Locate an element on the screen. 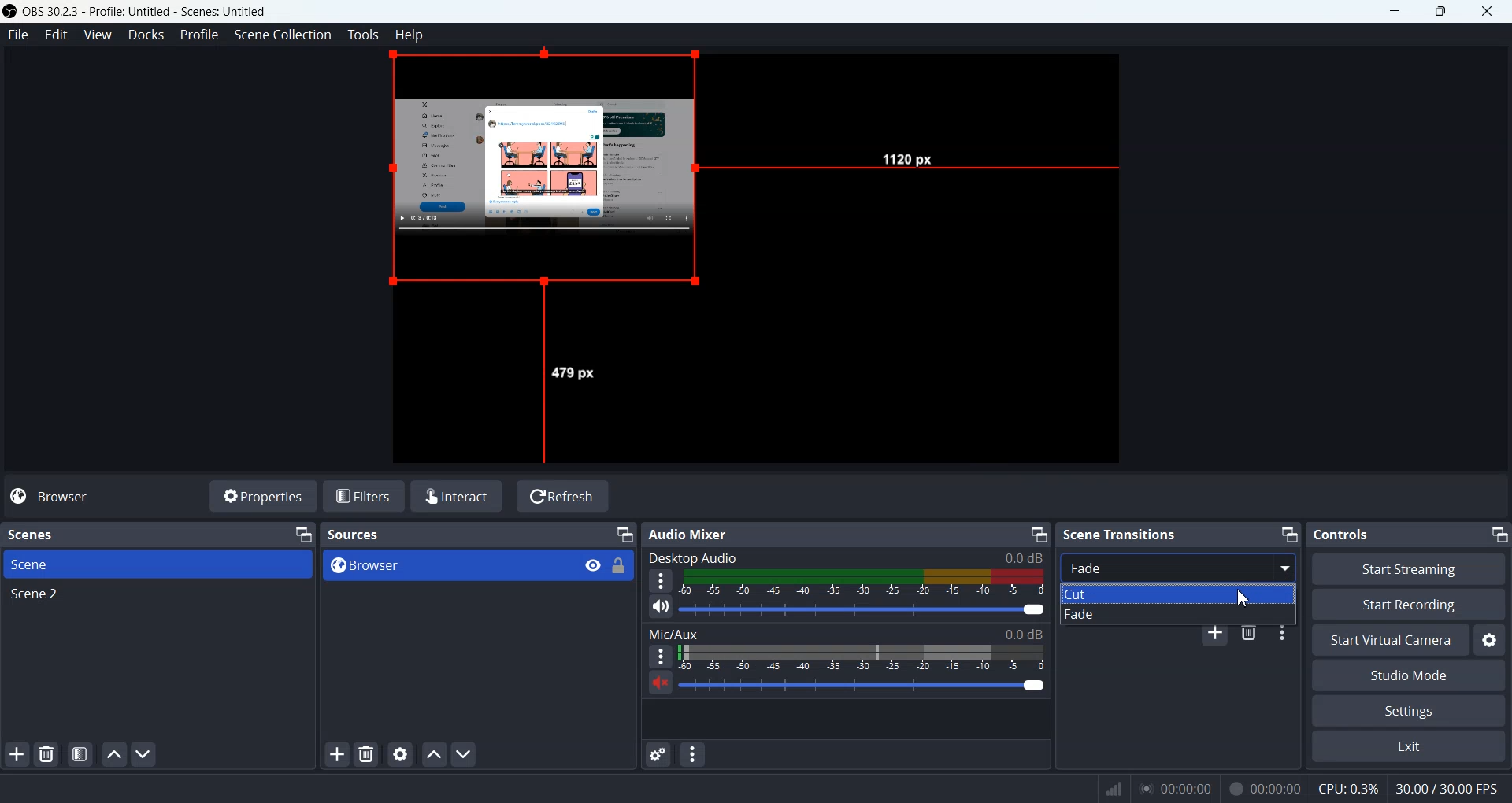 This screenshot has height=803, width=1512. Remove configurable transition is located at coordinates (1248, 634).